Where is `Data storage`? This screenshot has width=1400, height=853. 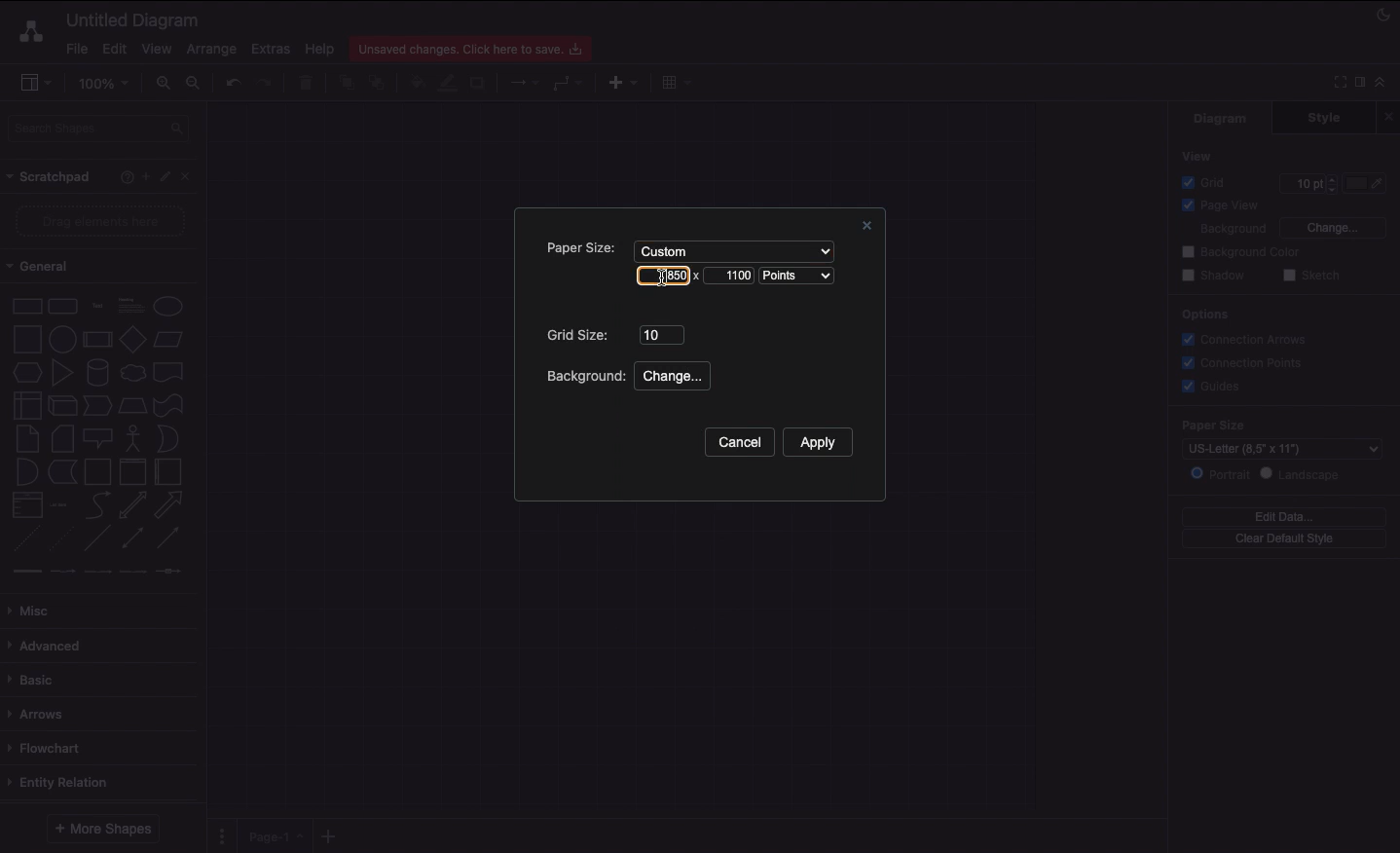
Data storage is located at coordinates (62, 473).